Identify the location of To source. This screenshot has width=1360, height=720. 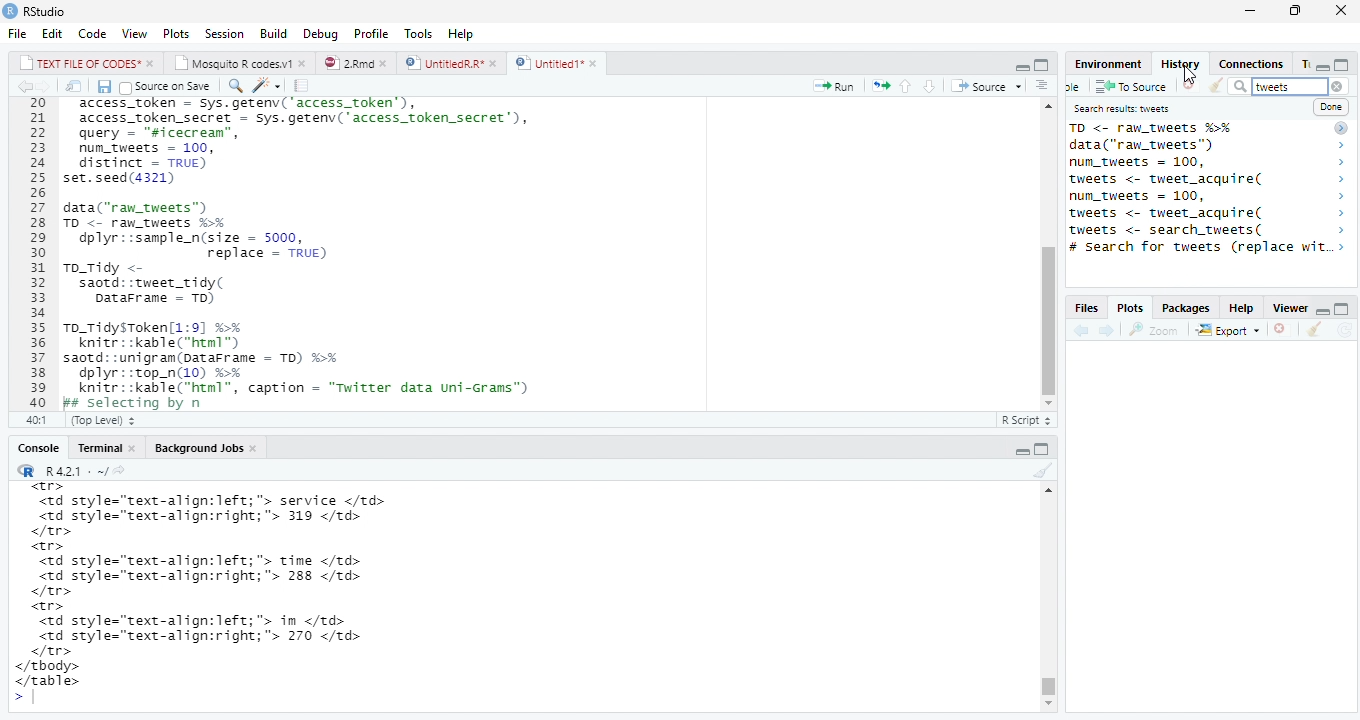
(1145, 86).